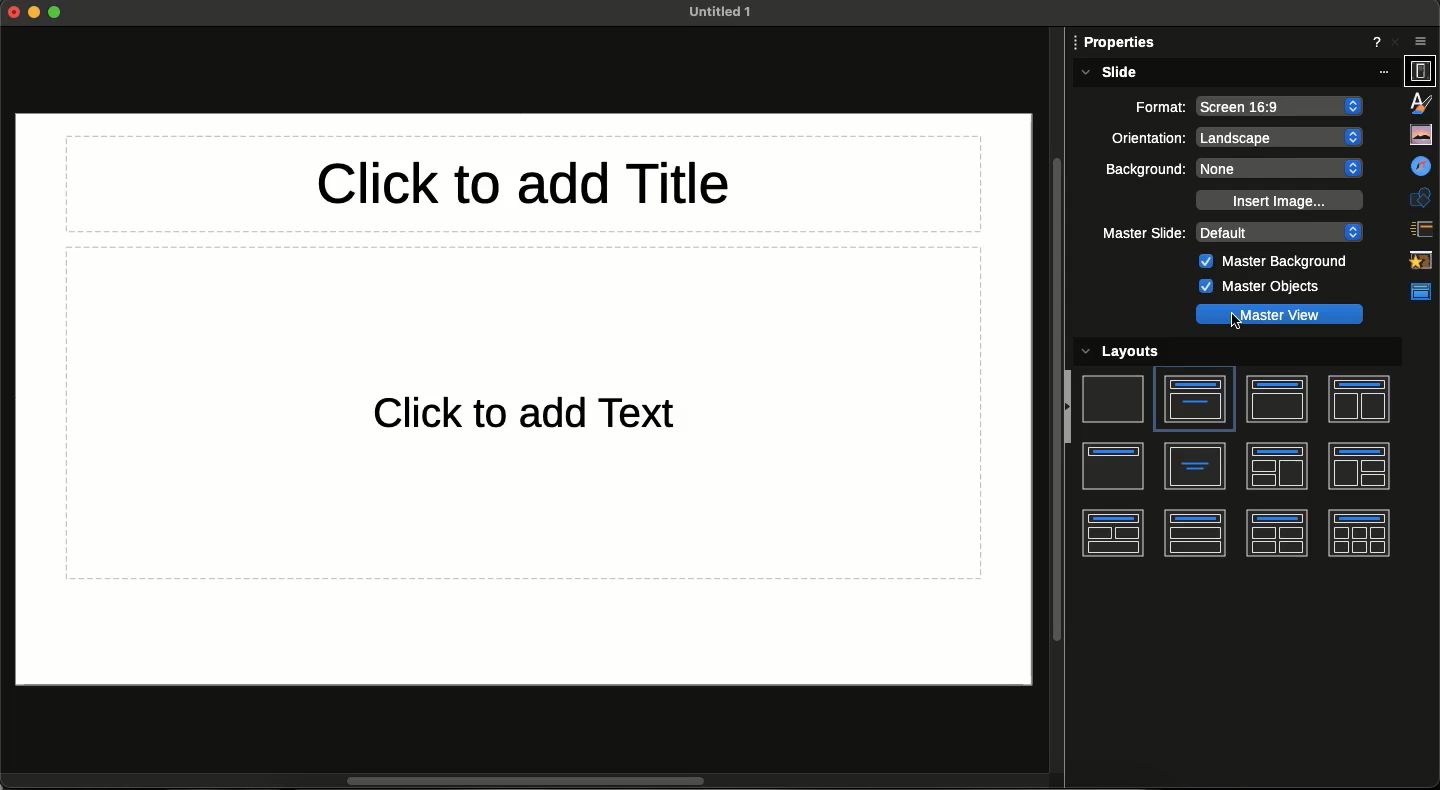 This screenshot has height=790, width=1440. I want to click on Close, so click(14, 14).